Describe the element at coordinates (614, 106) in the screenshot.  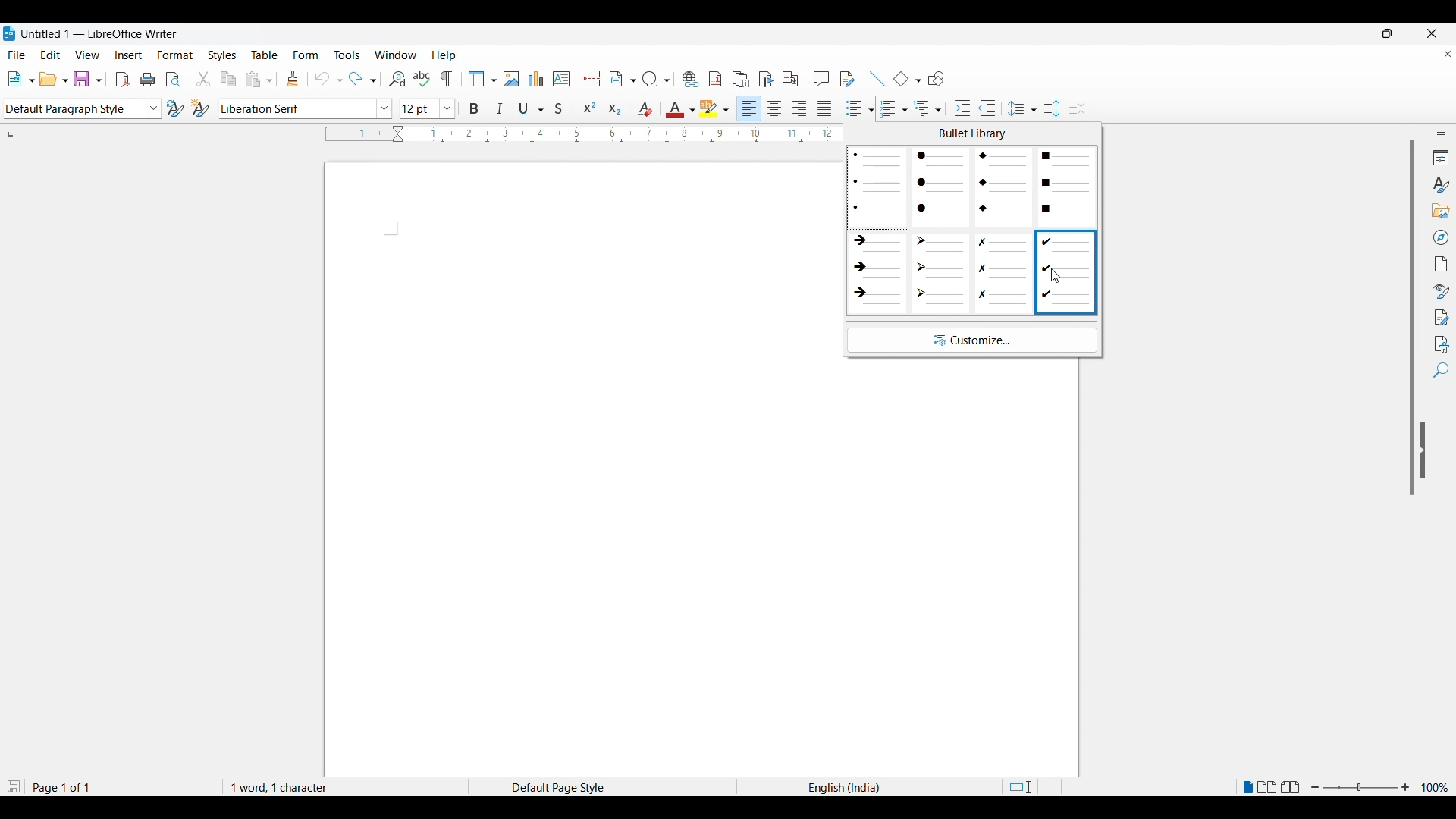
I see `subscript` at that location.